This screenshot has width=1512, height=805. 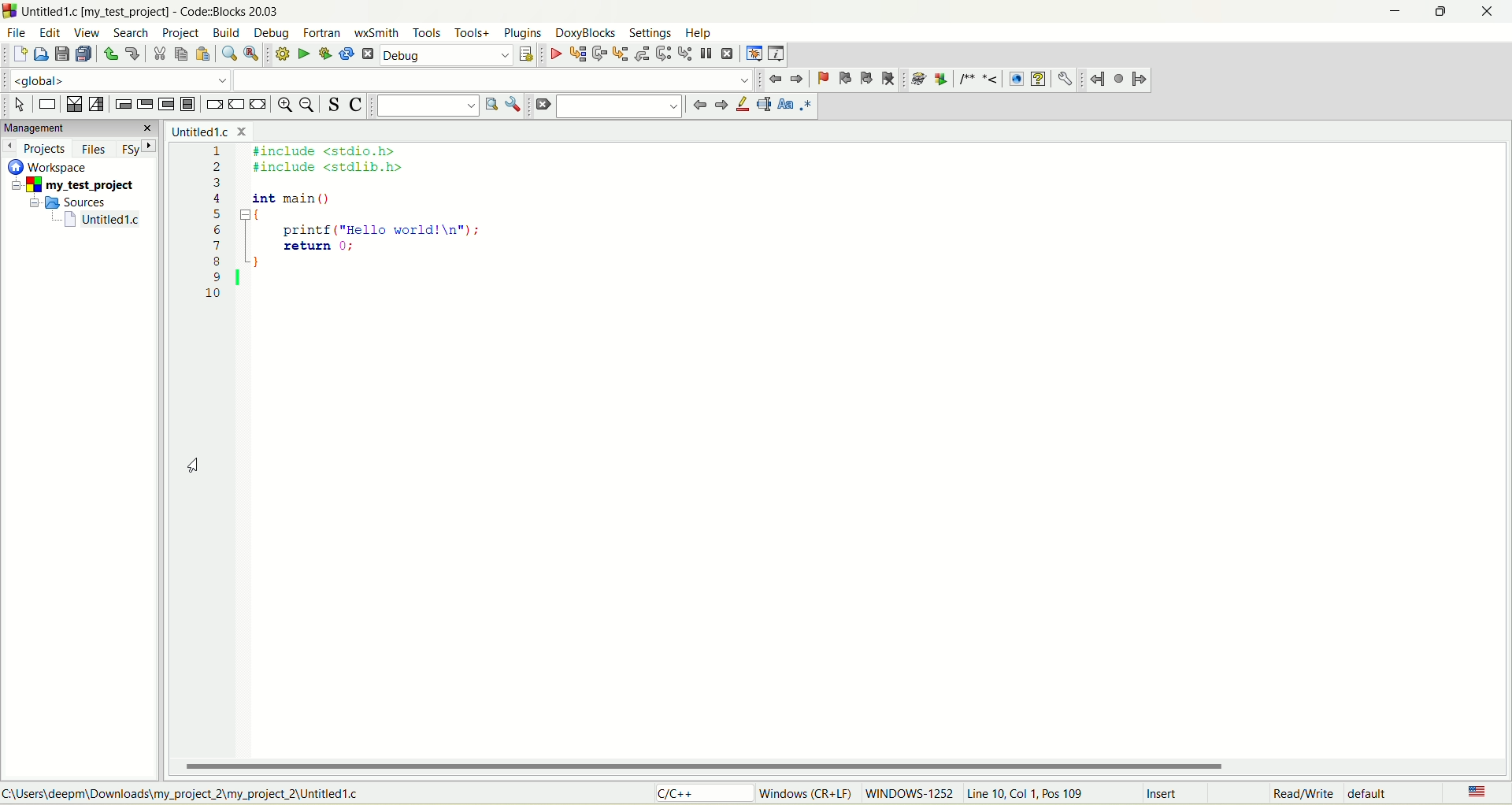 What do you see at coordinates (1494, 9) in the screenshot?
I see `close` at bounding box center [1494, 9].